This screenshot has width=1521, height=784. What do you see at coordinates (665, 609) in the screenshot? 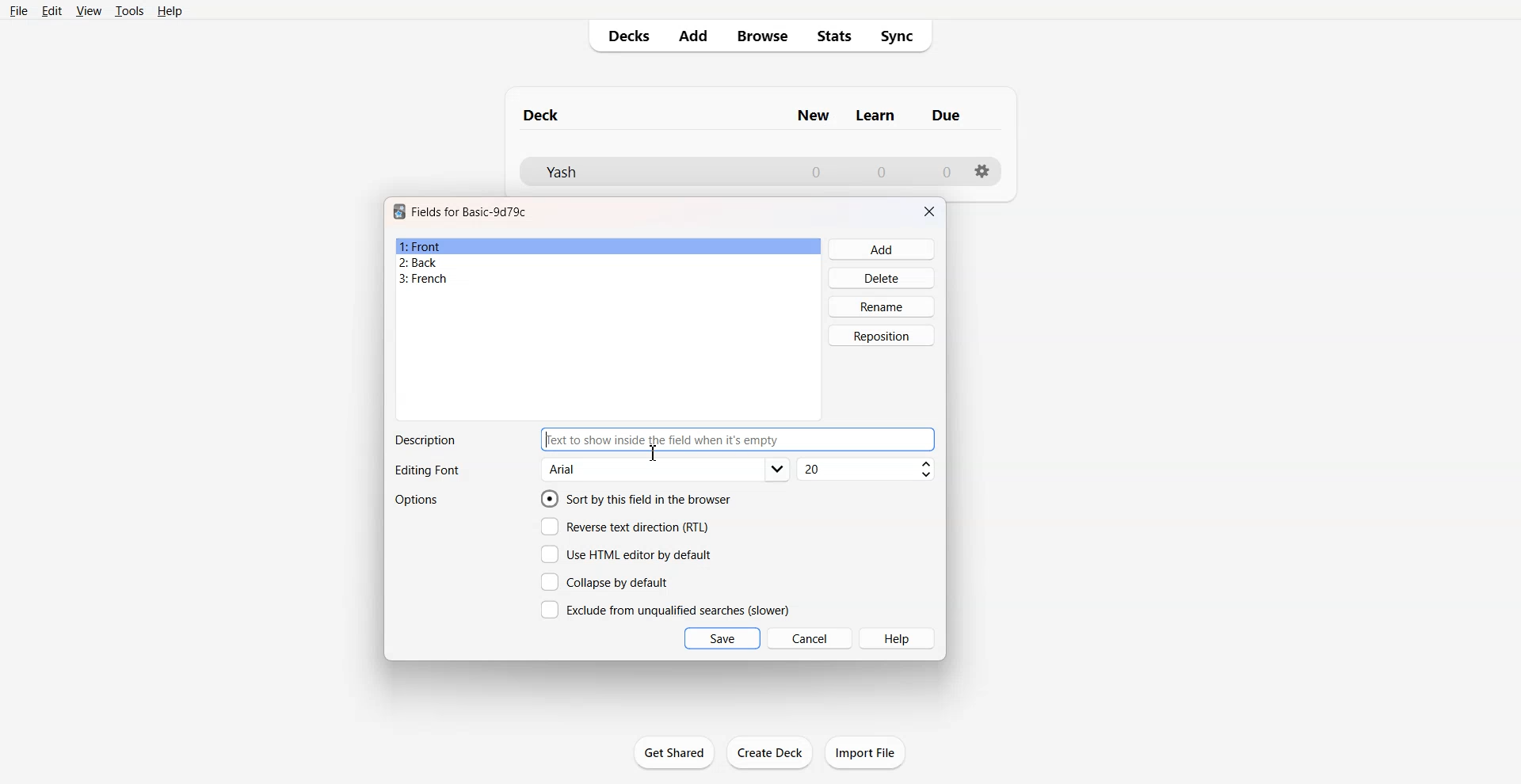
I see `Exclude from unqualified searches (slower)` at bounding box center [665, 609].